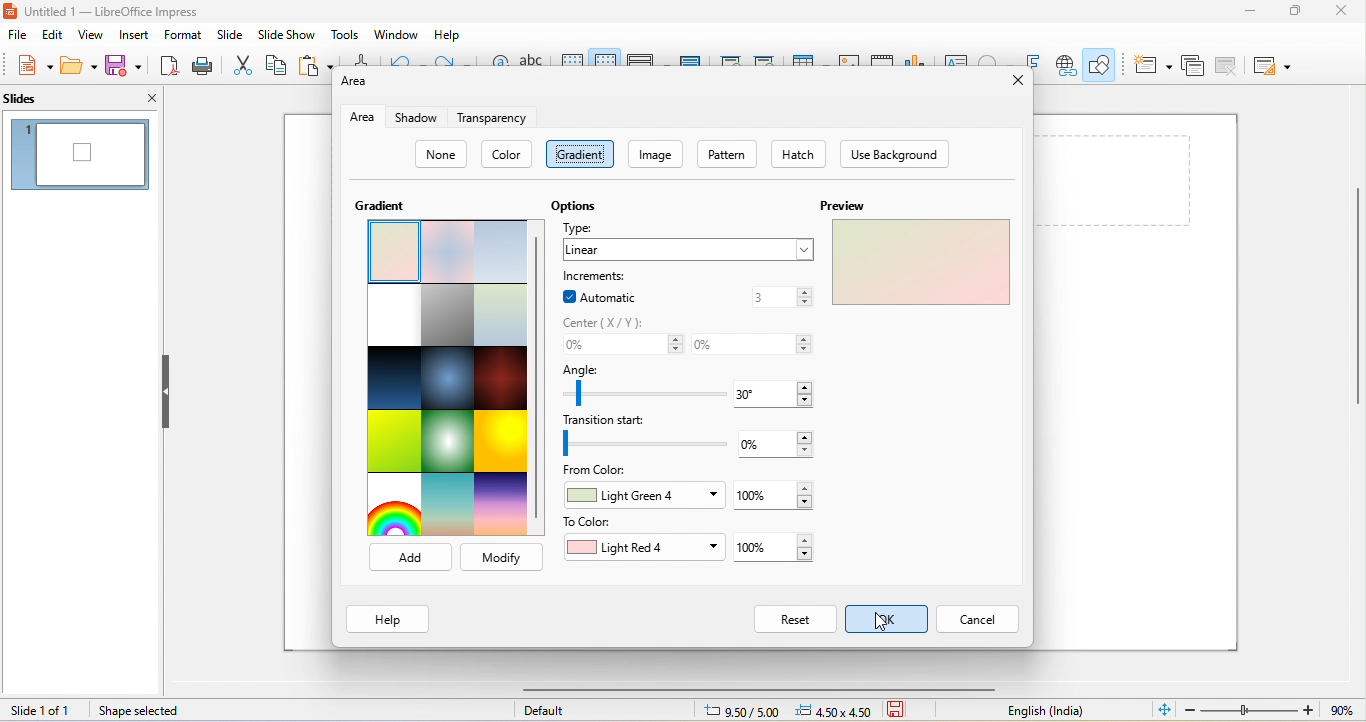 The height and width of the screenshot is (722, 1366). I want to click on help, so click(388, 617).